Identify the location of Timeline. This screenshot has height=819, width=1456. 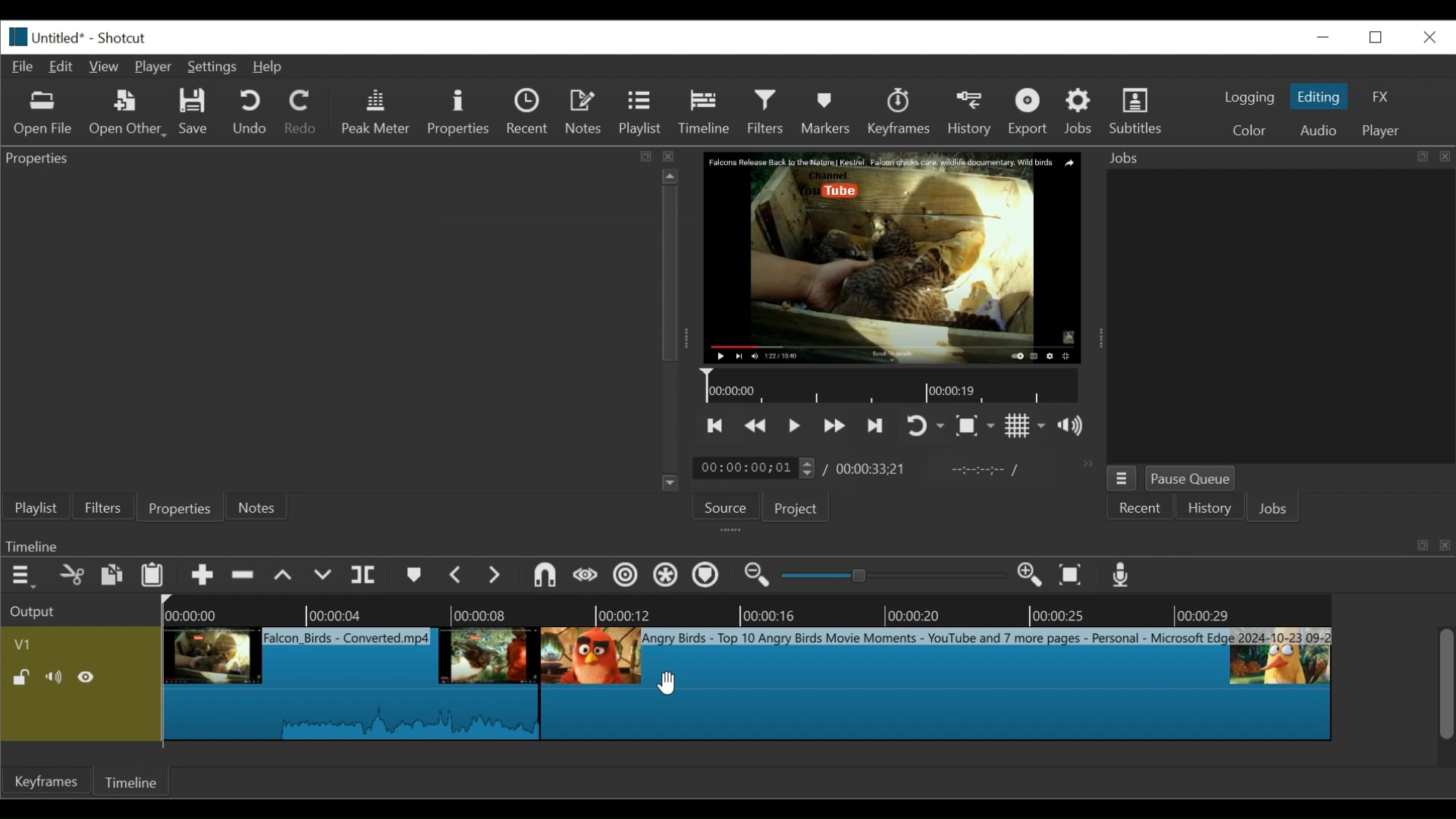
(137, 782).